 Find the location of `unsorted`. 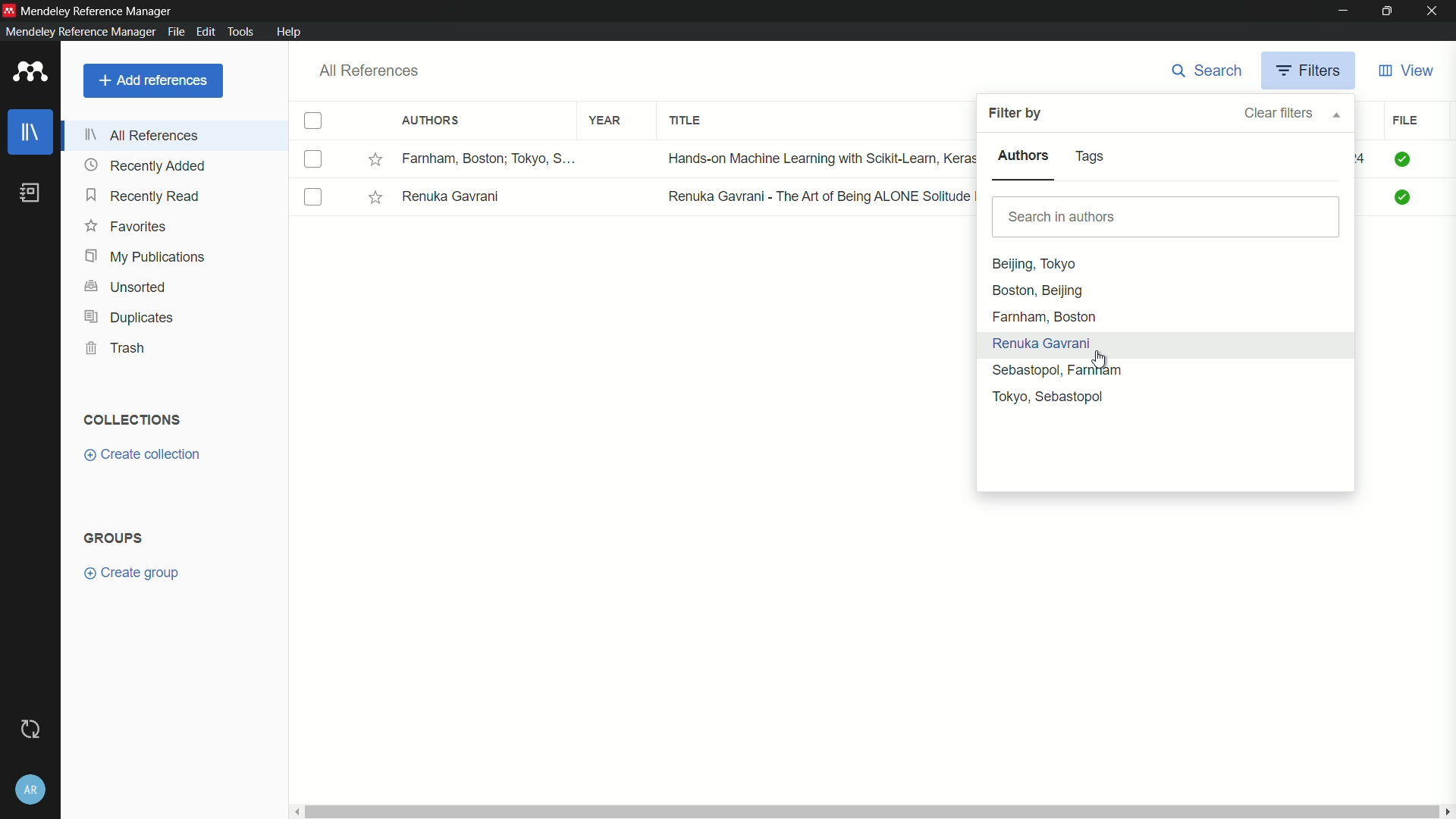

unsorted is located at coordinates (124, 287).